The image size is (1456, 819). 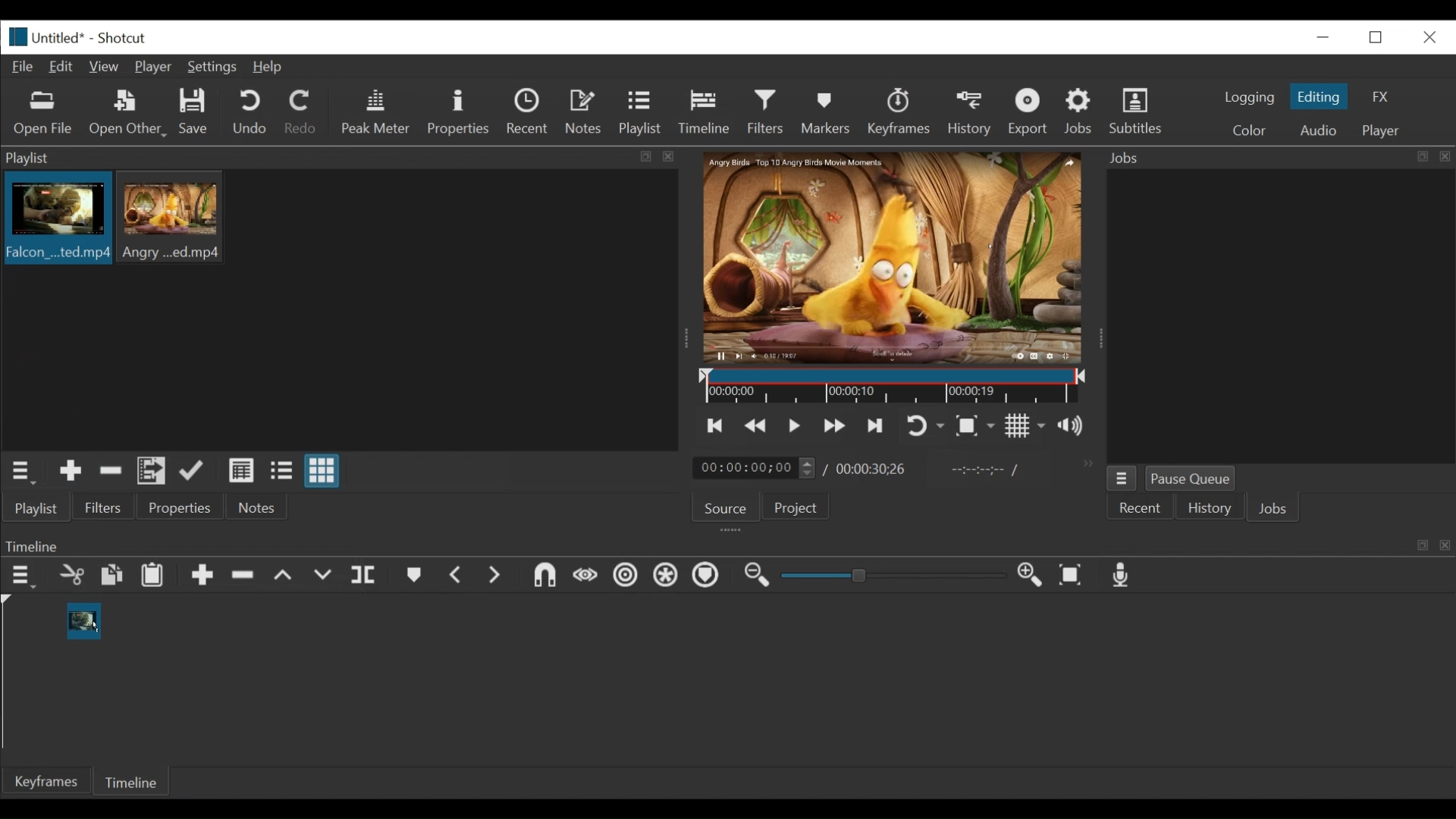 I want to click on skip to the next point, so click(x=877, y=425).